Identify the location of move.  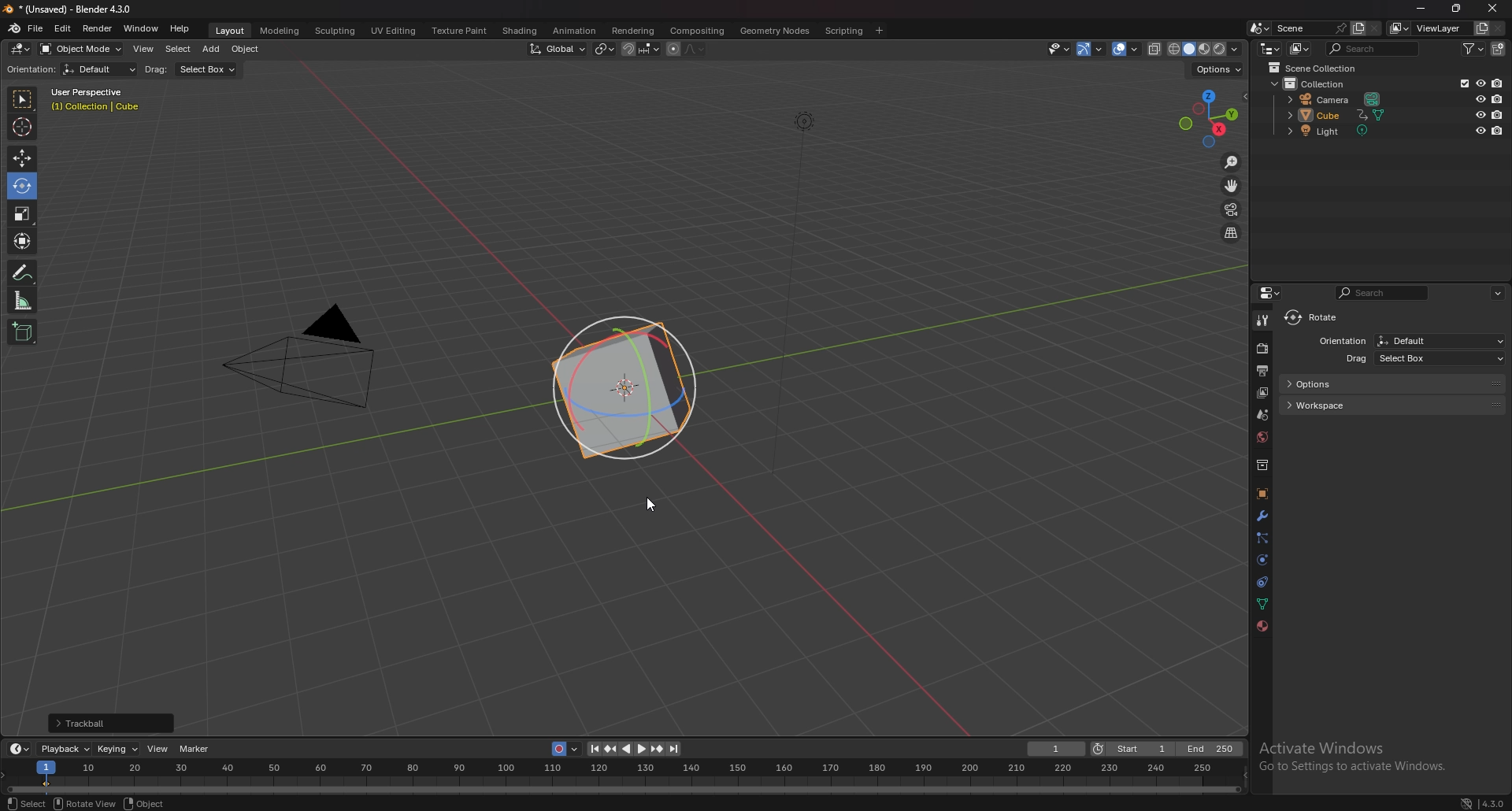
(21, 159).